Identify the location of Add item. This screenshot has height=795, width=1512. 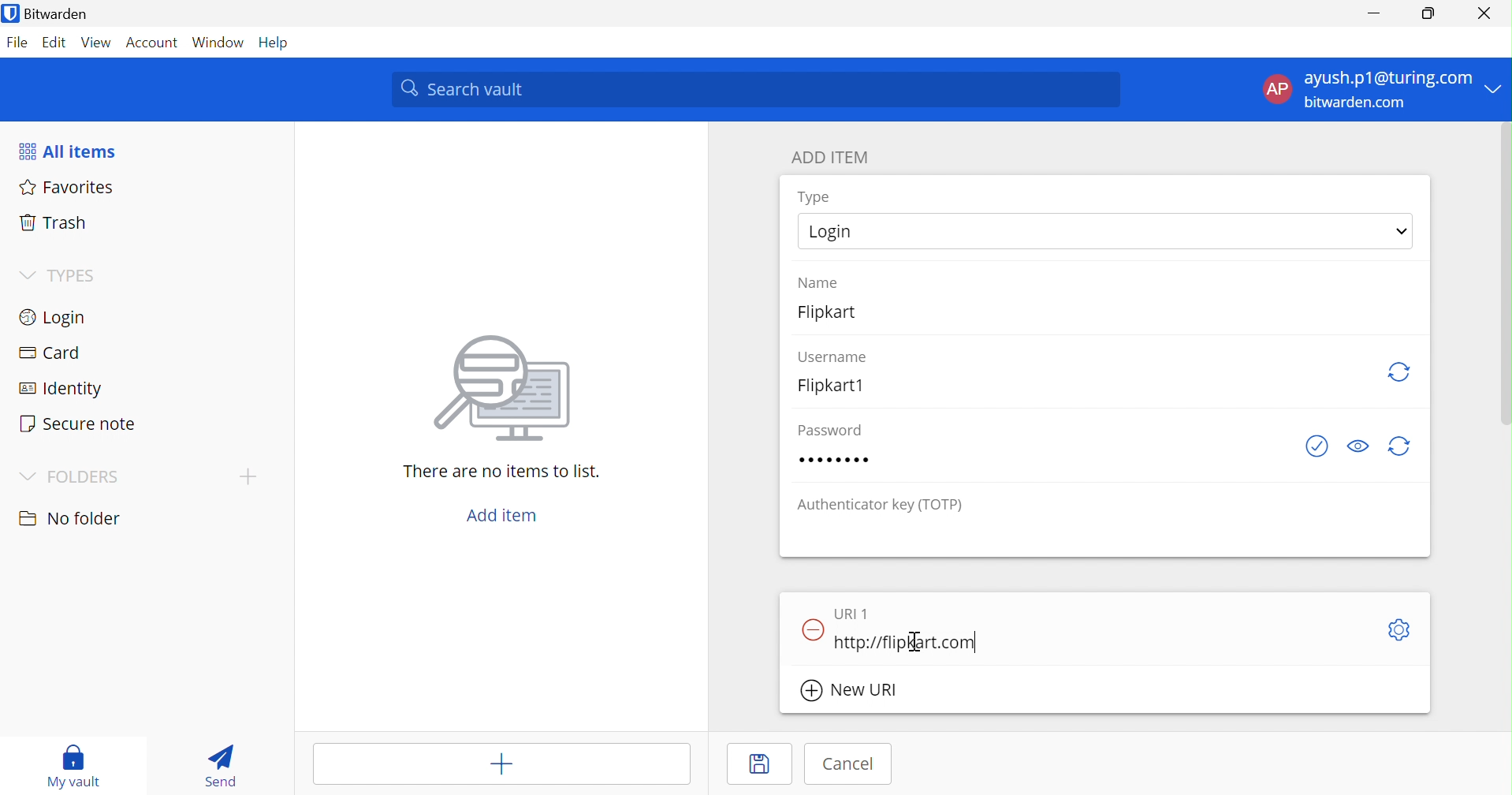
(503, 516).